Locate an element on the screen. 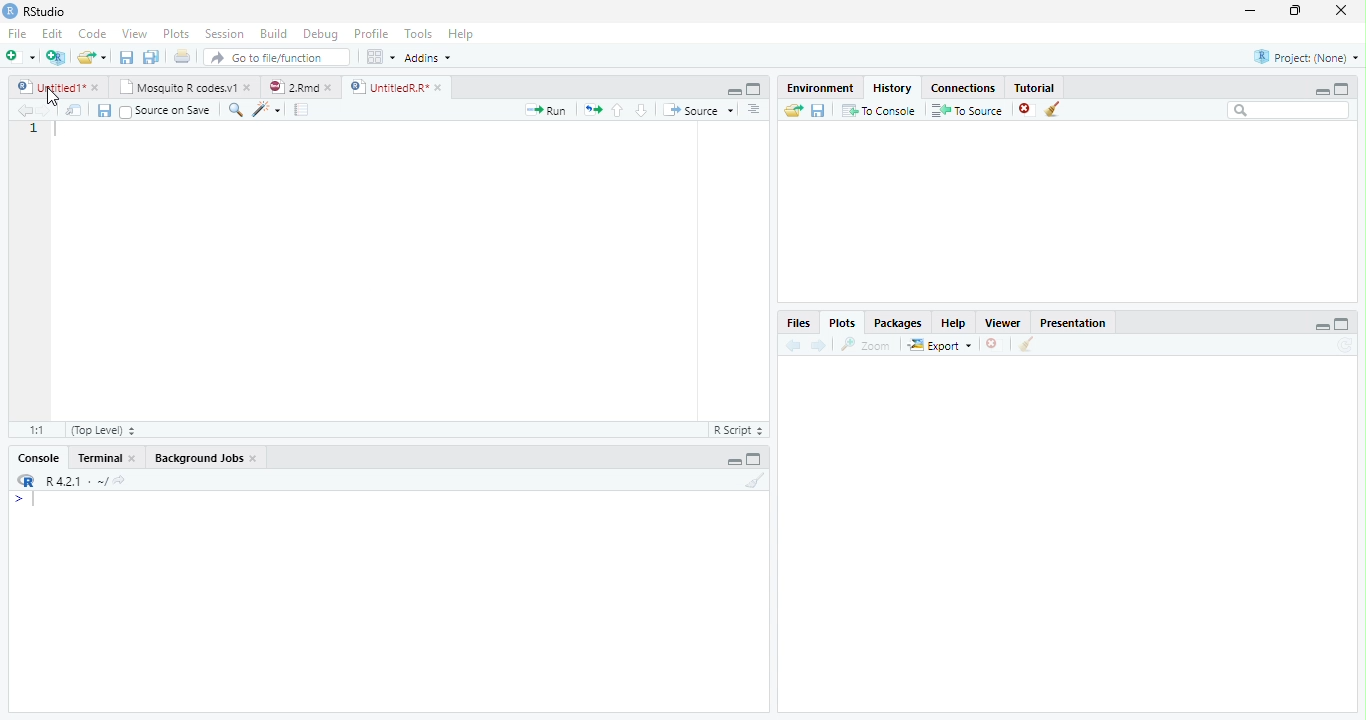 The width and height of the screenshot is (1366, 720). Project: (None) is located at coordinates (1305, 57).